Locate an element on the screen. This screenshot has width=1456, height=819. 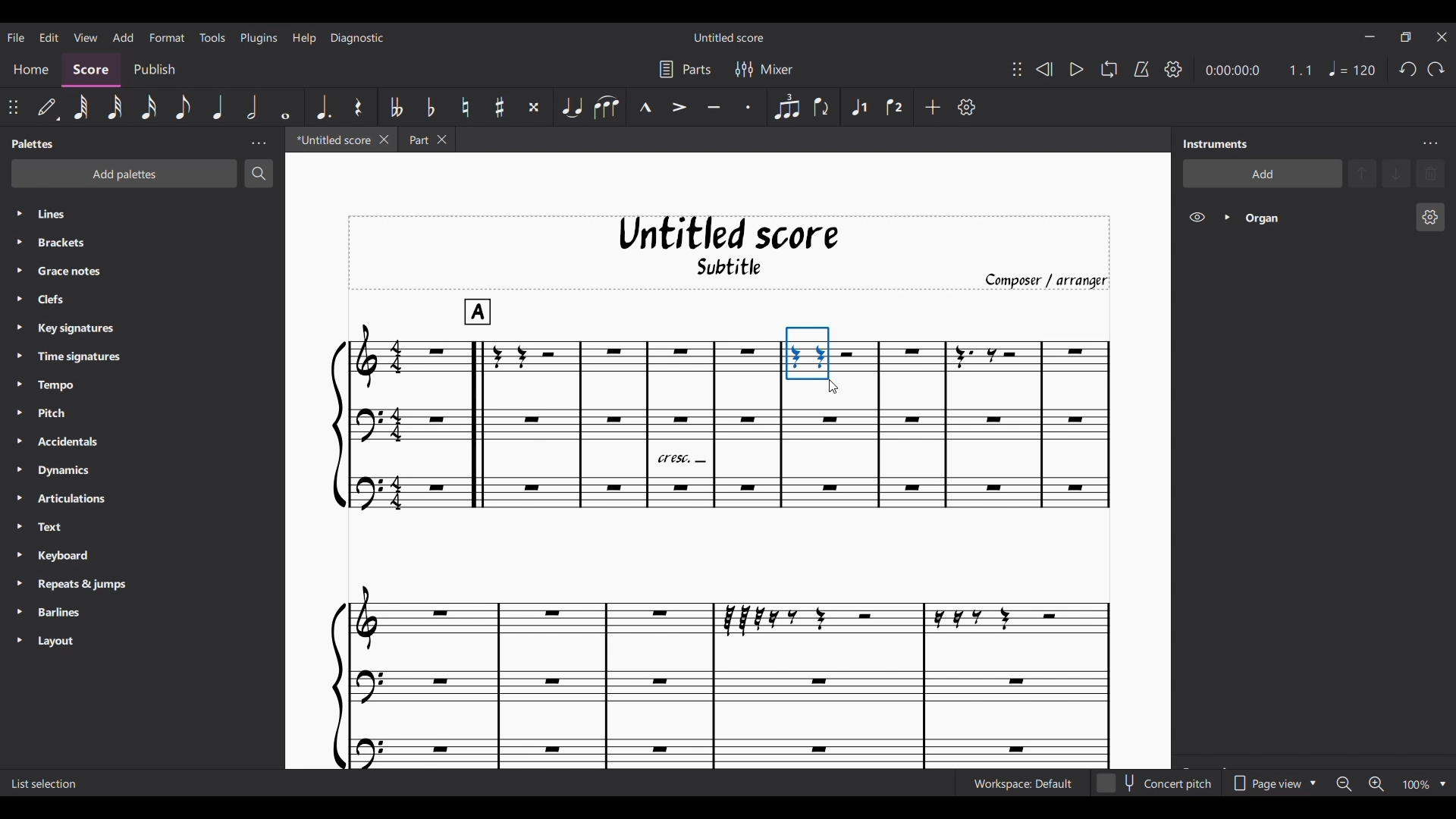
Rewind is located at coordinates (1045, 69).